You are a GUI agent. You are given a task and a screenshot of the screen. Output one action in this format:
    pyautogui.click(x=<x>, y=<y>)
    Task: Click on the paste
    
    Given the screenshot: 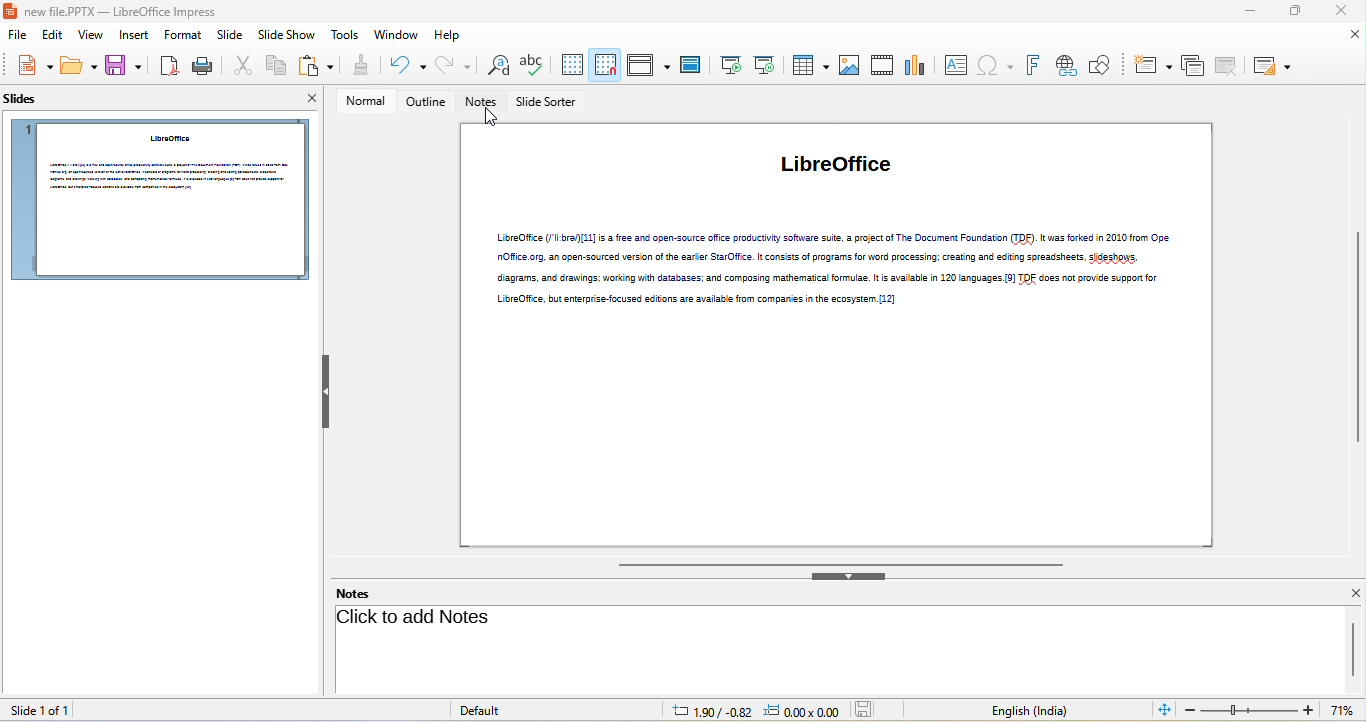 What is the action you would take?
    pyautogui.click(x=316, y=66)
    